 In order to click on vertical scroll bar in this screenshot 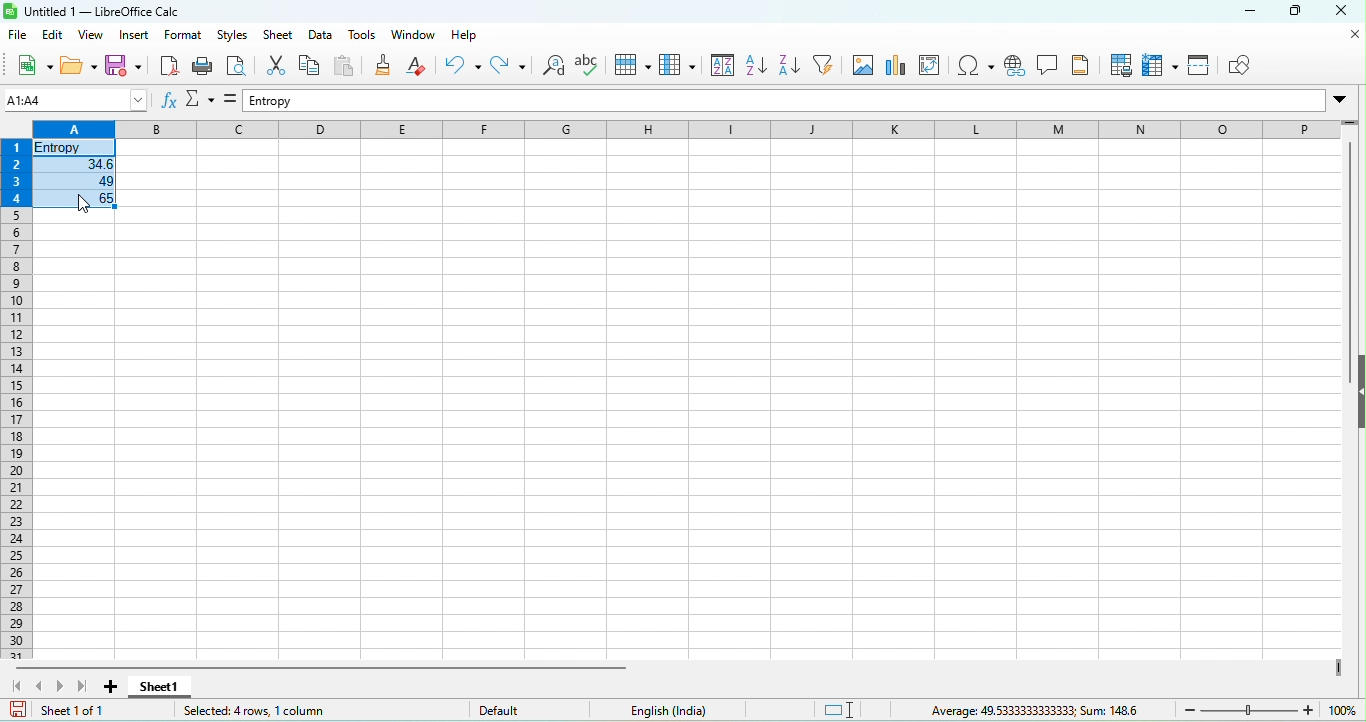, I will do `click(1353, 237)`.